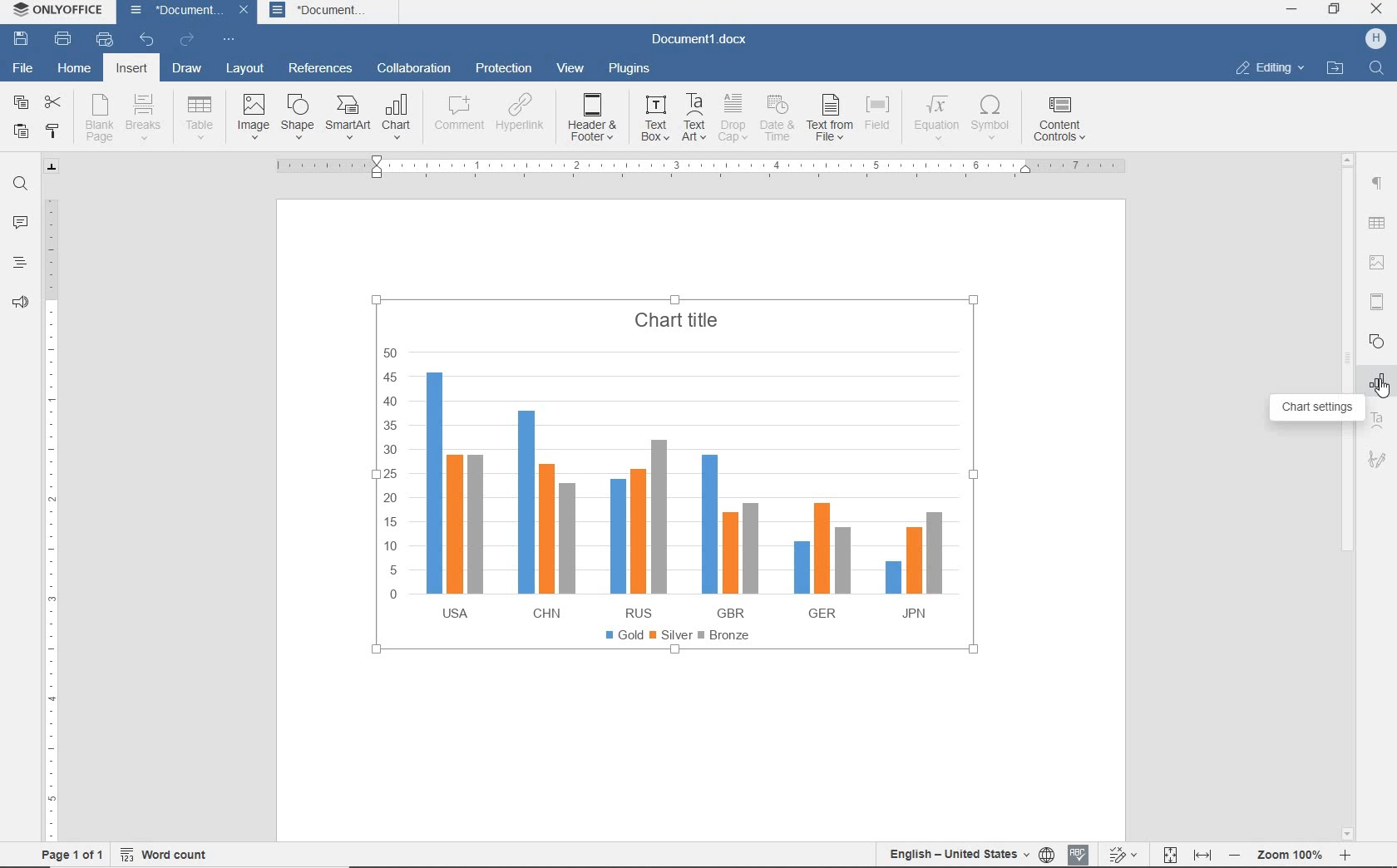 The width and height of the screenshot is (1397, 868). What do you see at coordinates (74, 71) in the screenshot?
I see `home` at bounding box center [74, 71].